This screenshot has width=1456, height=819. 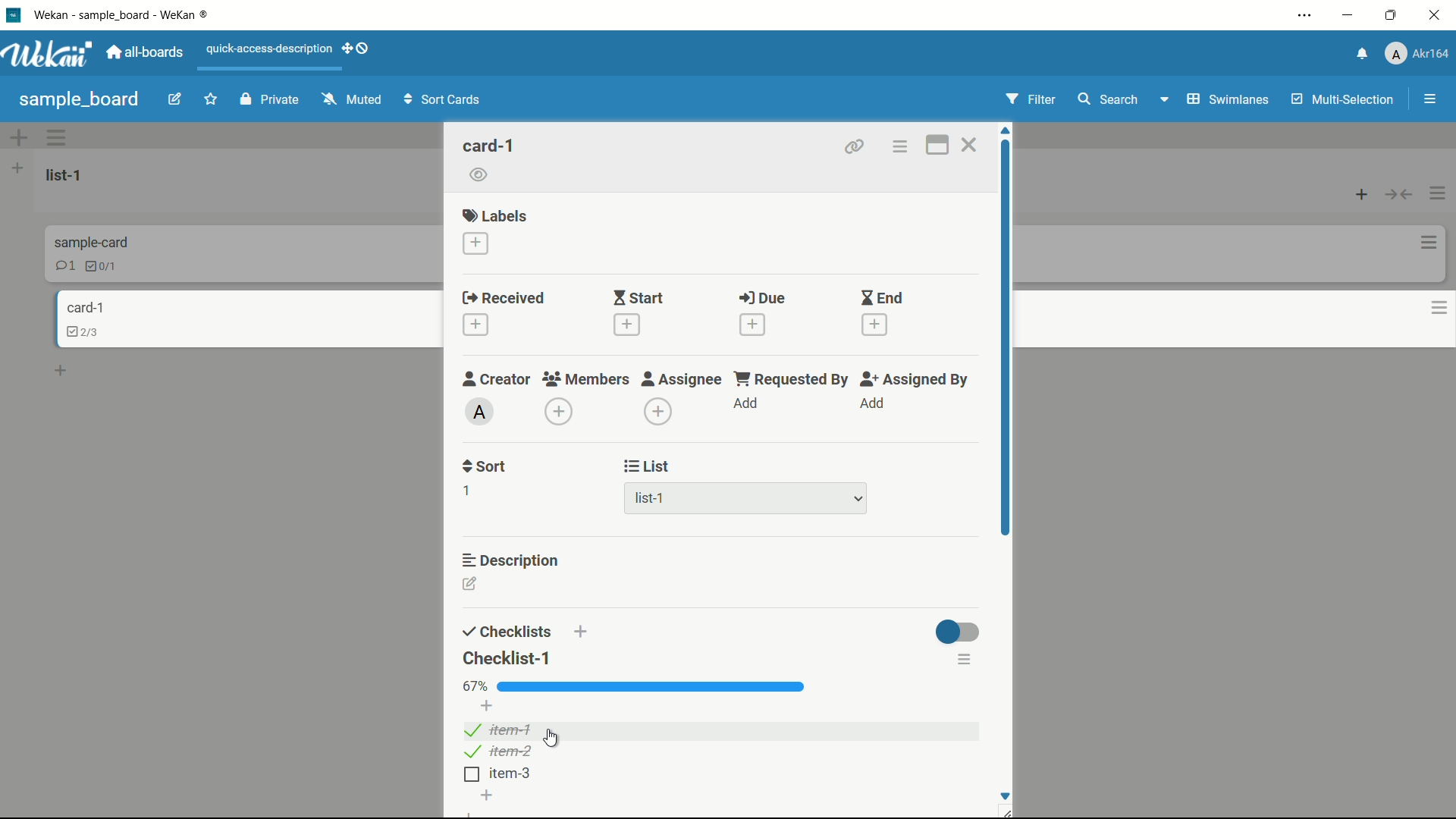 What do you see at coordinates (175, 99) in the screenshot?
I see `edit` at bounding box center [175, 99].